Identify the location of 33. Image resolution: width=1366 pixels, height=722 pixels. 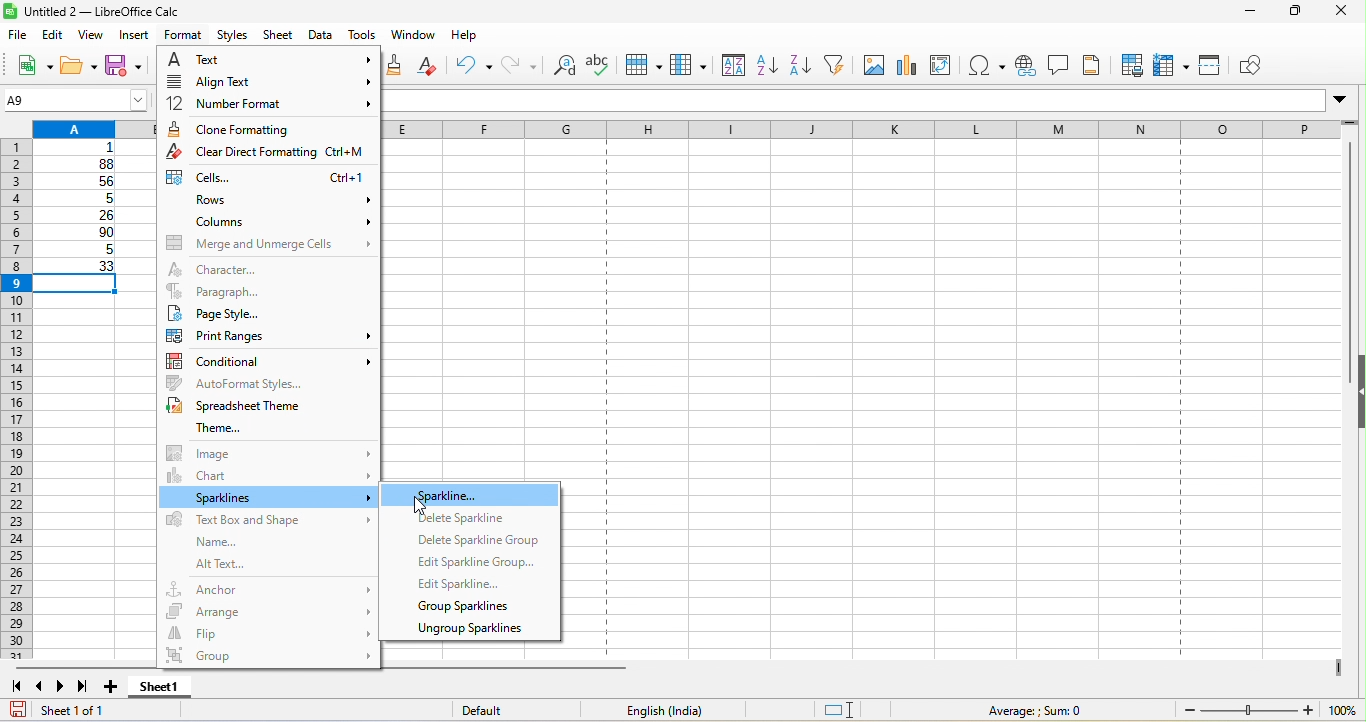
(78, 267).